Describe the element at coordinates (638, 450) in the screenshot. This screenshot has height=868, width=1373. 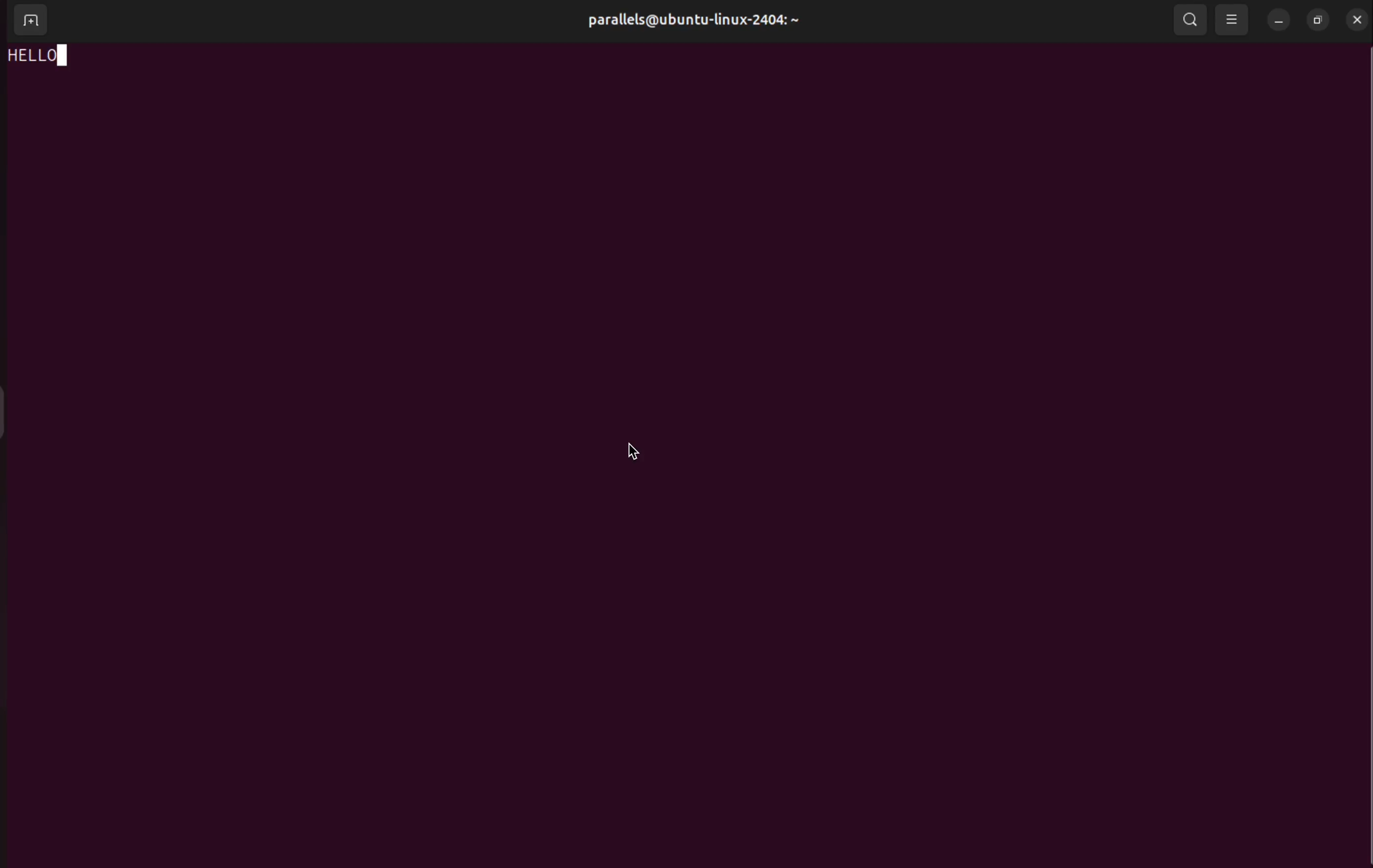
I see `cursor` at that location.